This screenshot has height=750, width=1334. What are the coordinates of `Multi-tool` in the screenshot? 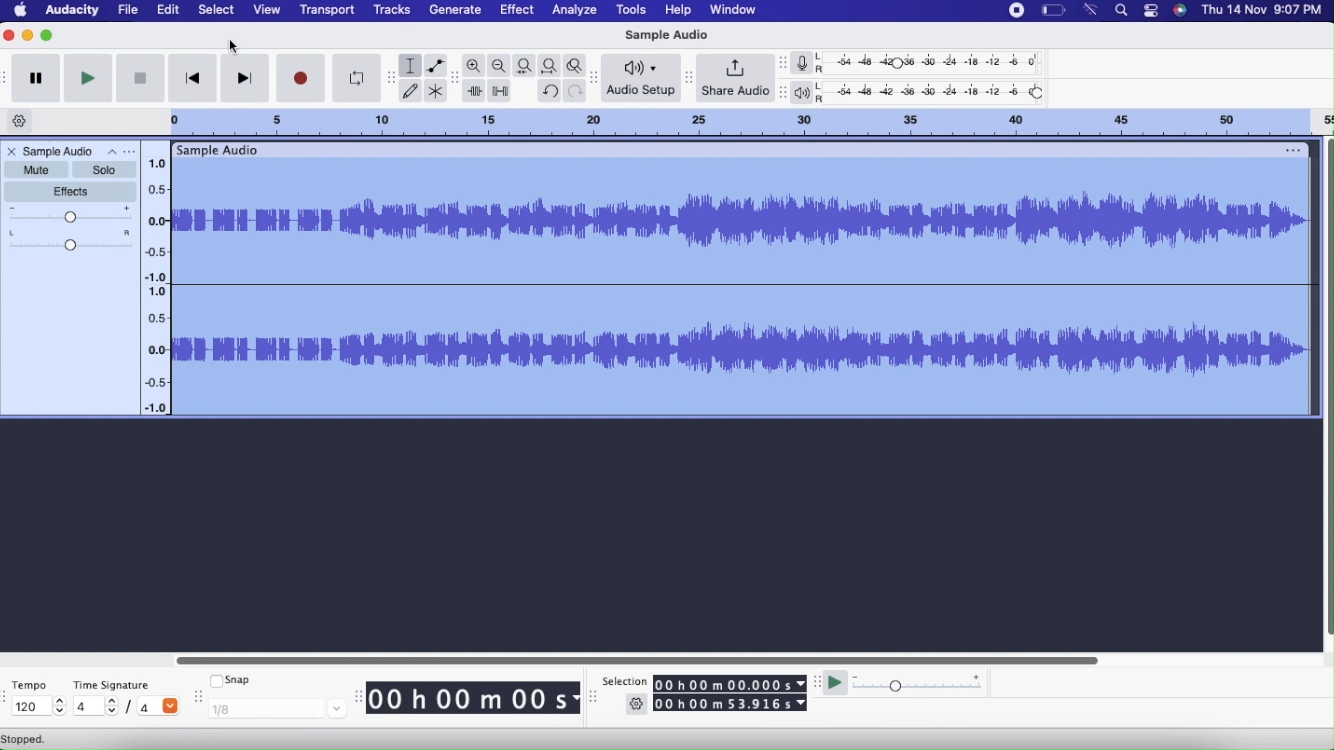 It's located at (438, 90).